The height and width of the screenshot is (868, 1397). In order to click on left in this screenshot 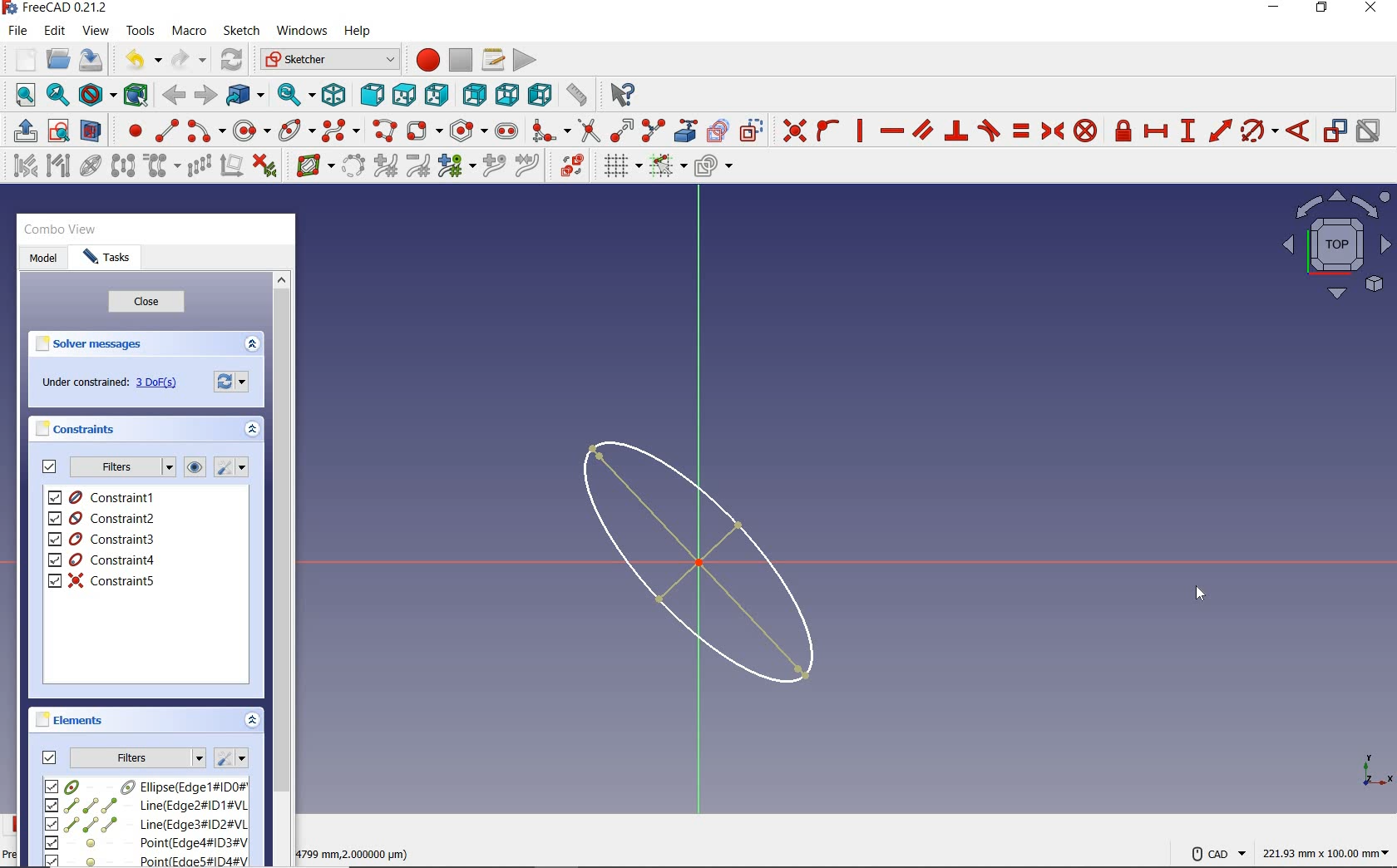, I will do `click(541, 94)`.